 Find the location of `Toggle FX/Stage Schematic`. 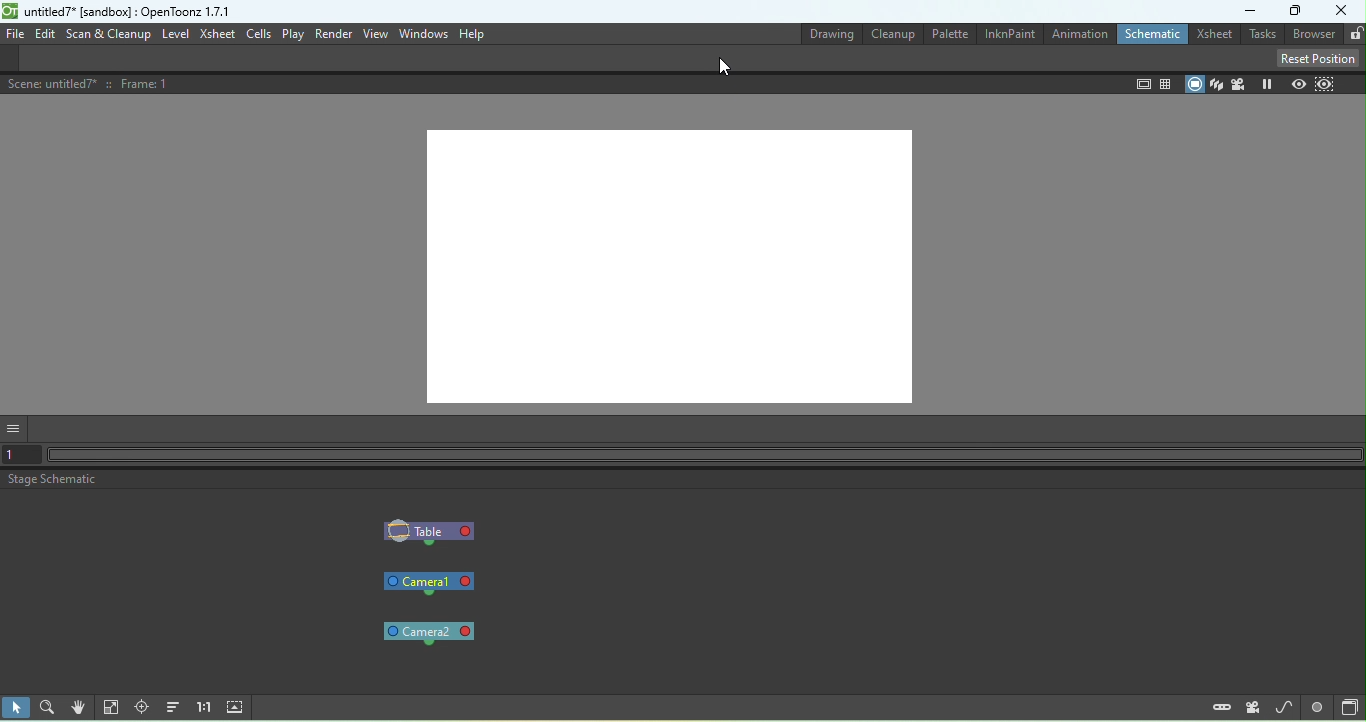

Toggle FX/Stage Schematic is located at coordinates (1346, 707).